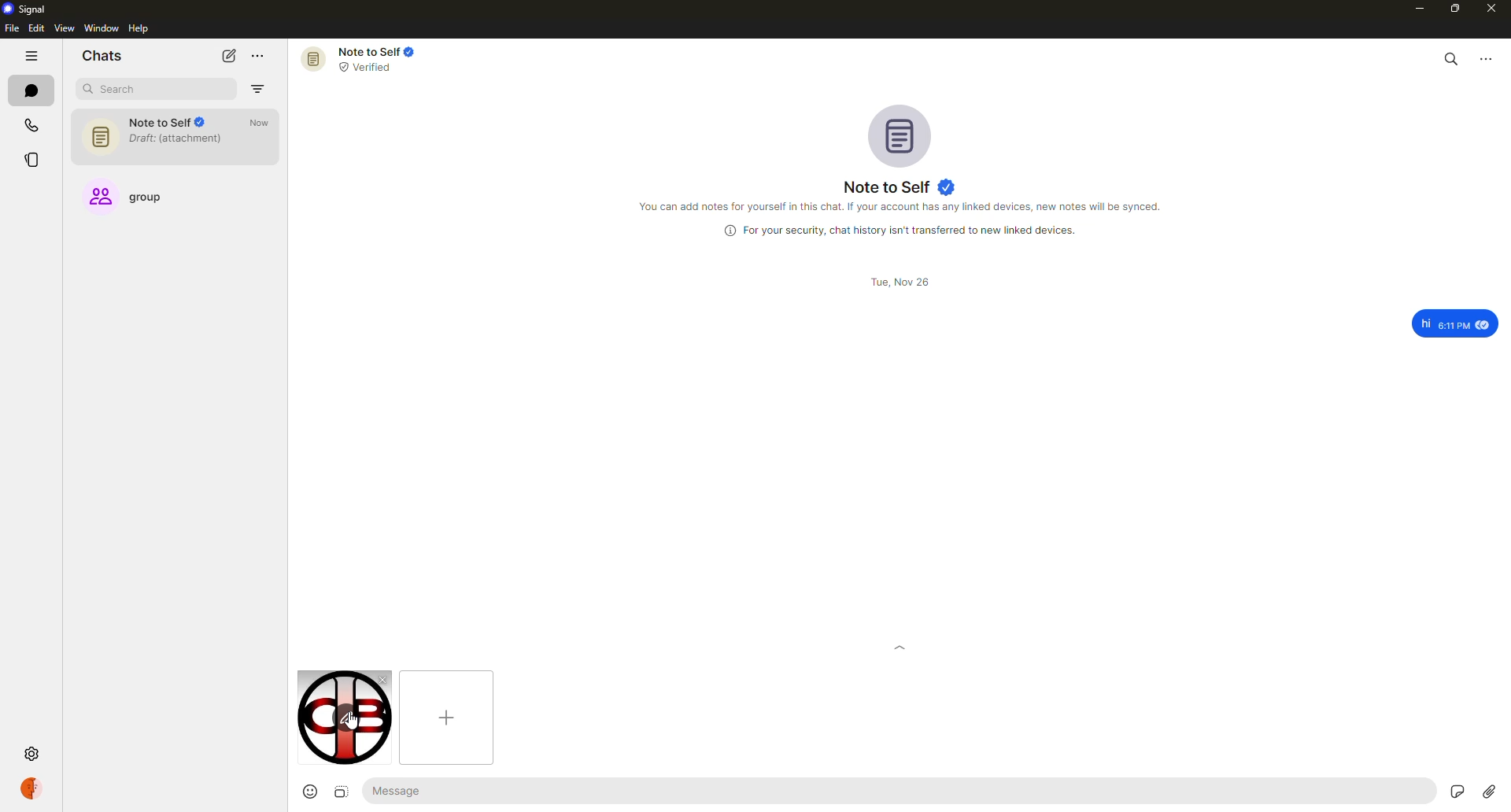  I want to click on stories, so click(34, 160).